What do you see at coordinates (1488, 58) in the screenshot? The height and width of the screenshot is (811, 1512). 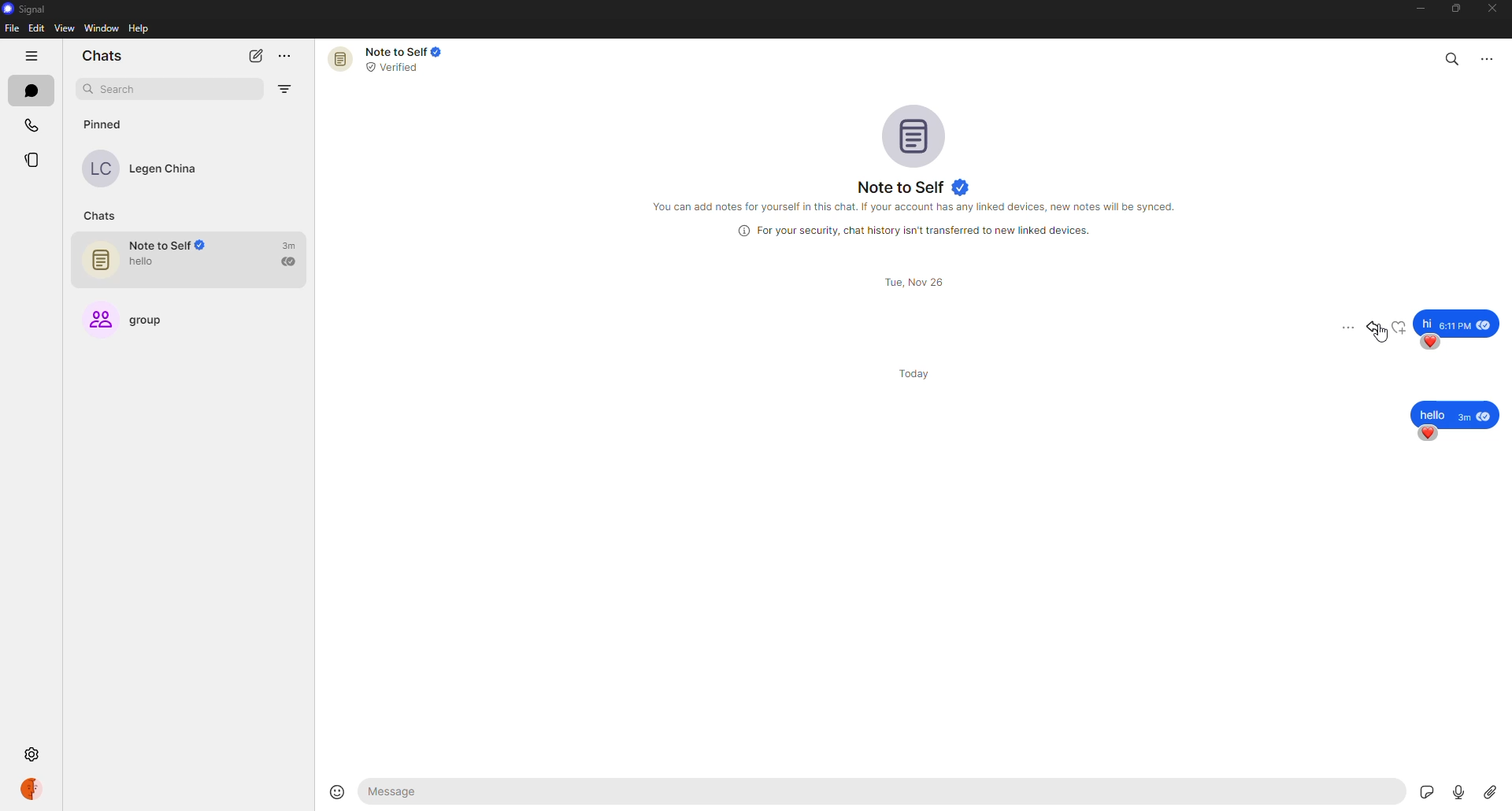 I see `more` at bounding box center [1488, 58].